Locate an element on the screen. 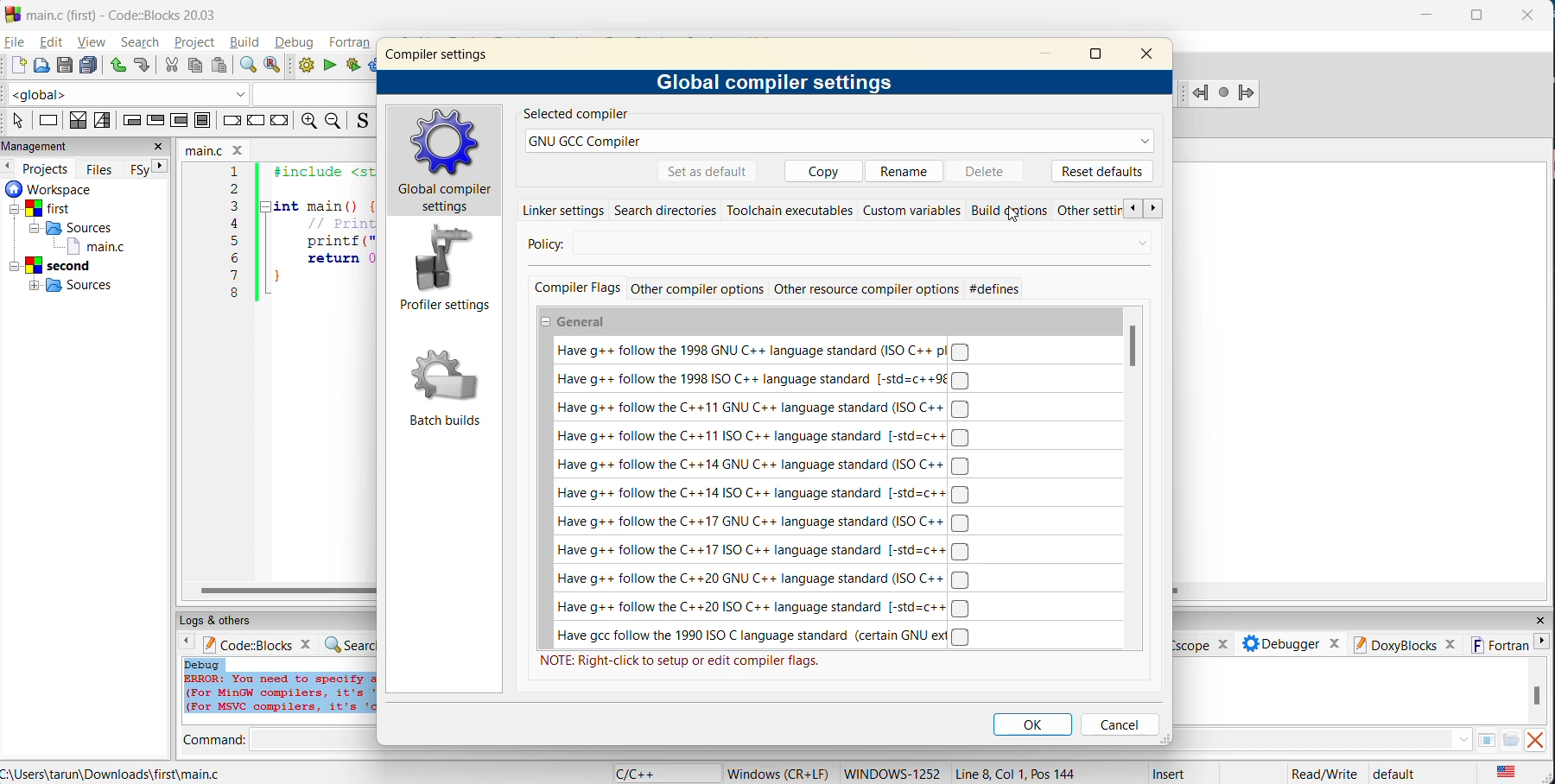  #defines is located at coordinates (1002, 289).